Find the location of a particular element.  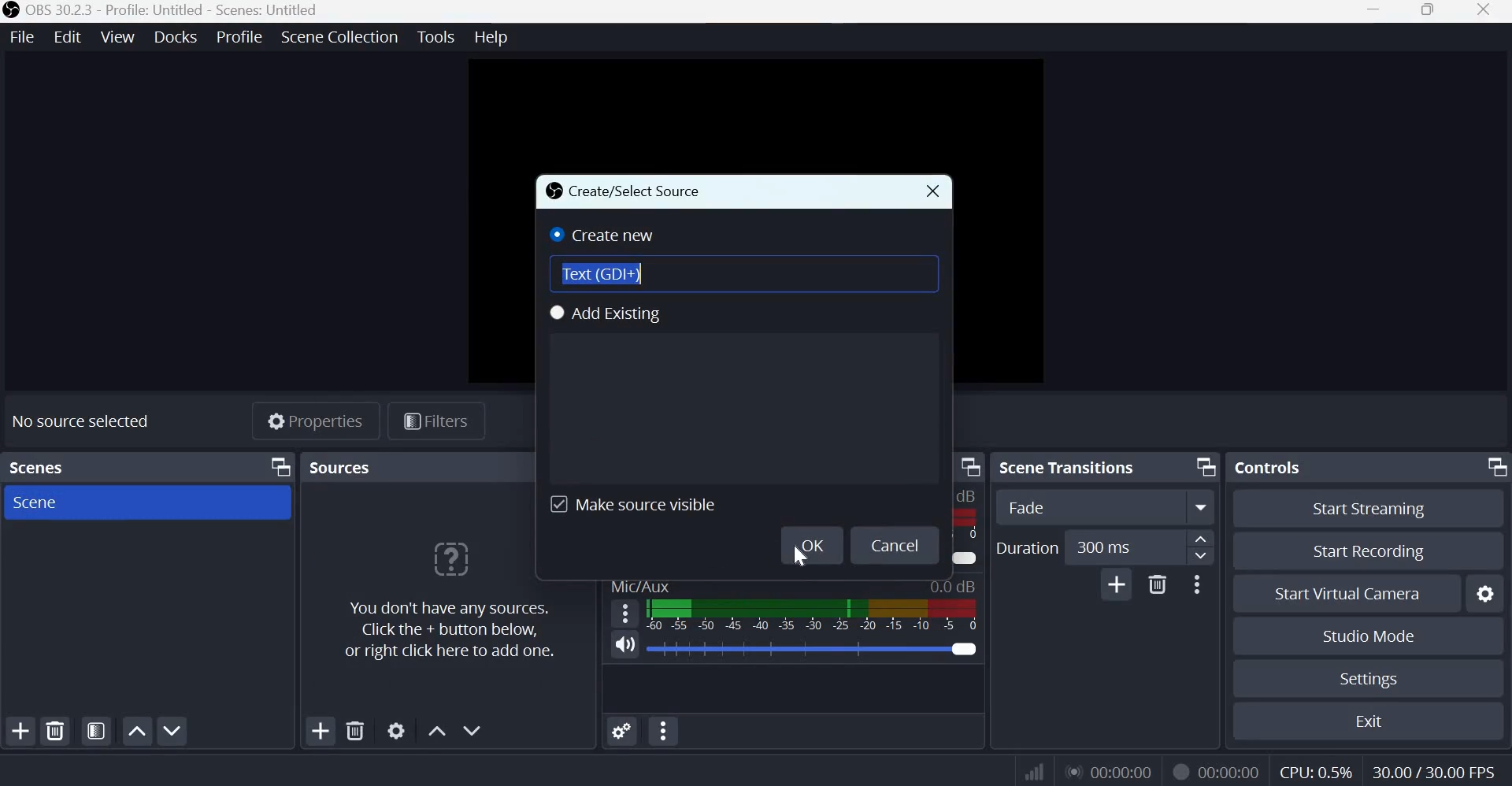

More Options is located at coordinates (1196, 584).